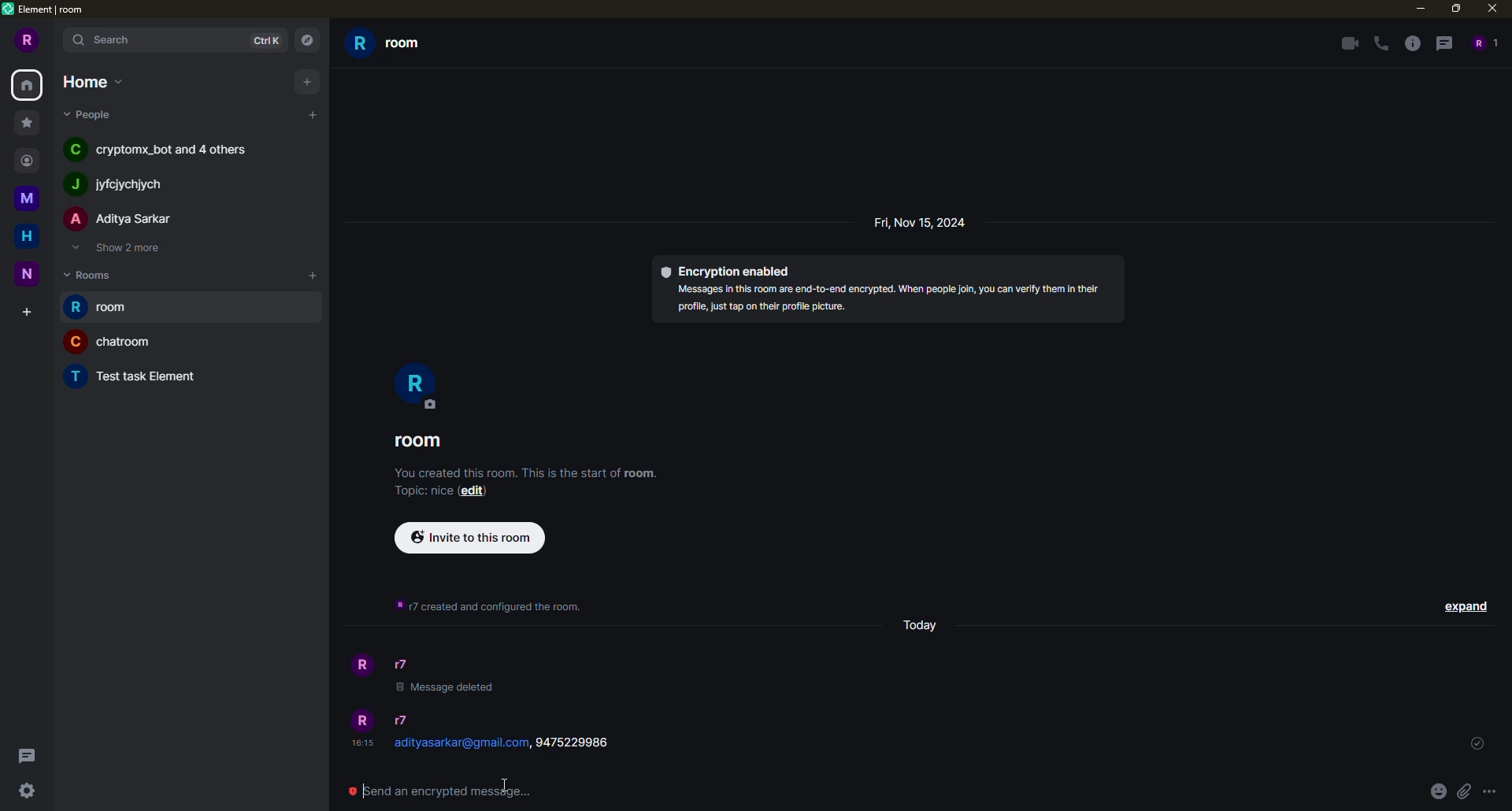 The width and height of the screenshot is (1512, 811). What do you see at coordinates (30, 275) in the screenshot?
I see `space` at bounding box center [30, 275].